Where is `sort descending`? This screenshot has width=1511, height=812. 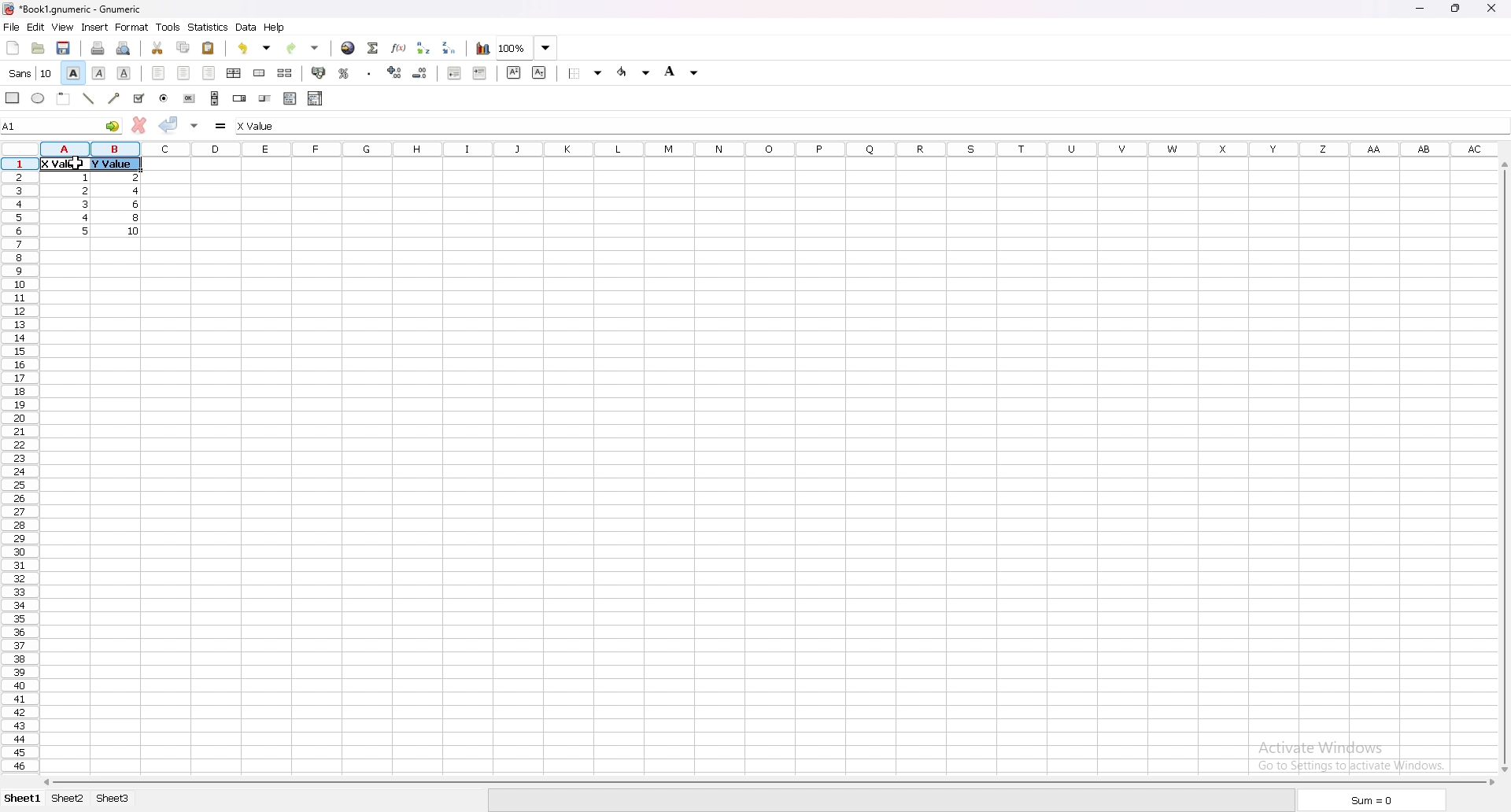 sort descending is located at coordinates (449, 47).